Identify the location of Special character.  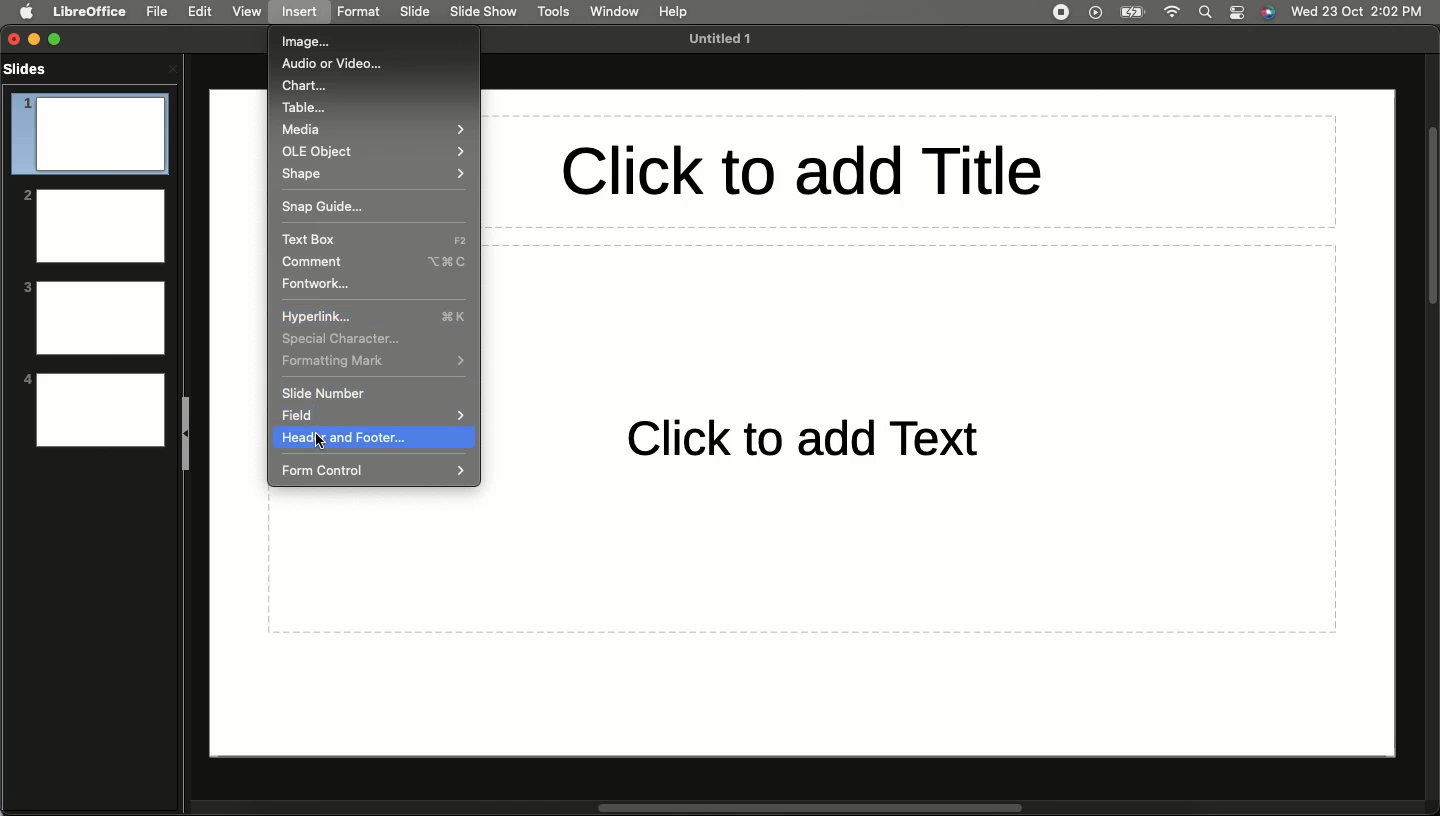
(342, 338).